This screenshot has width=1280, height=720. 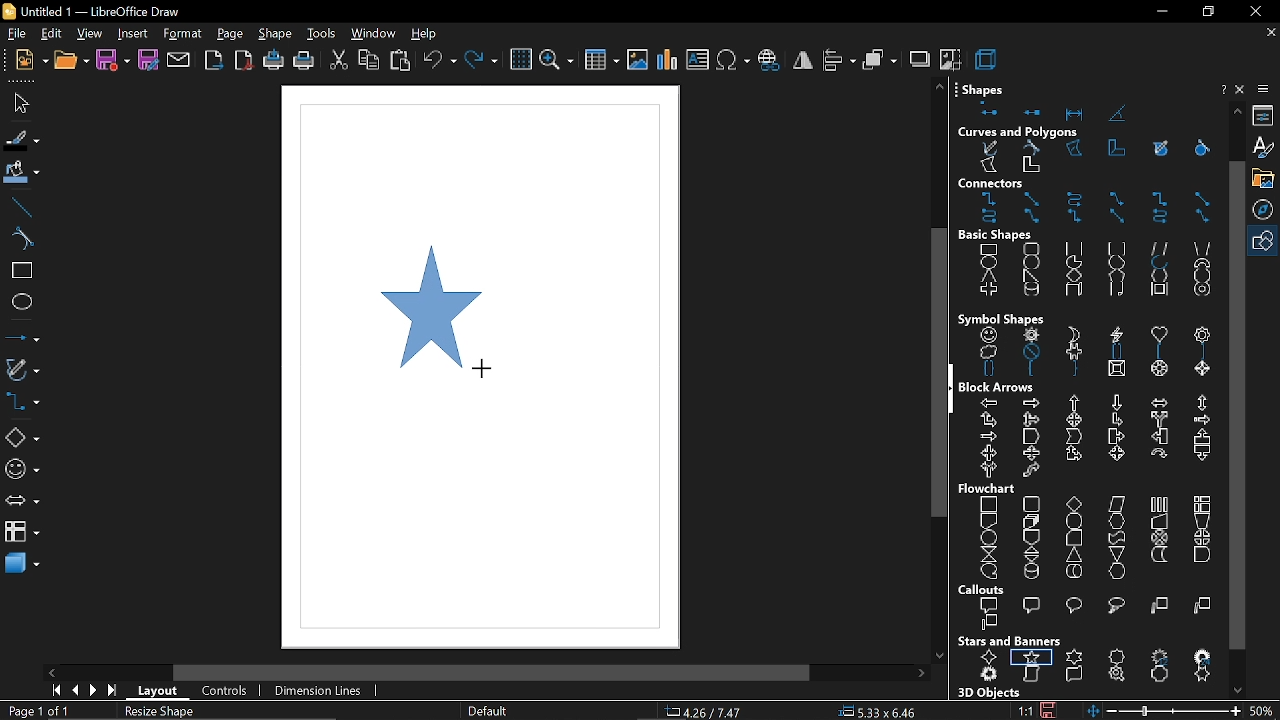 I want to click on file, so click(x=14, y=34).